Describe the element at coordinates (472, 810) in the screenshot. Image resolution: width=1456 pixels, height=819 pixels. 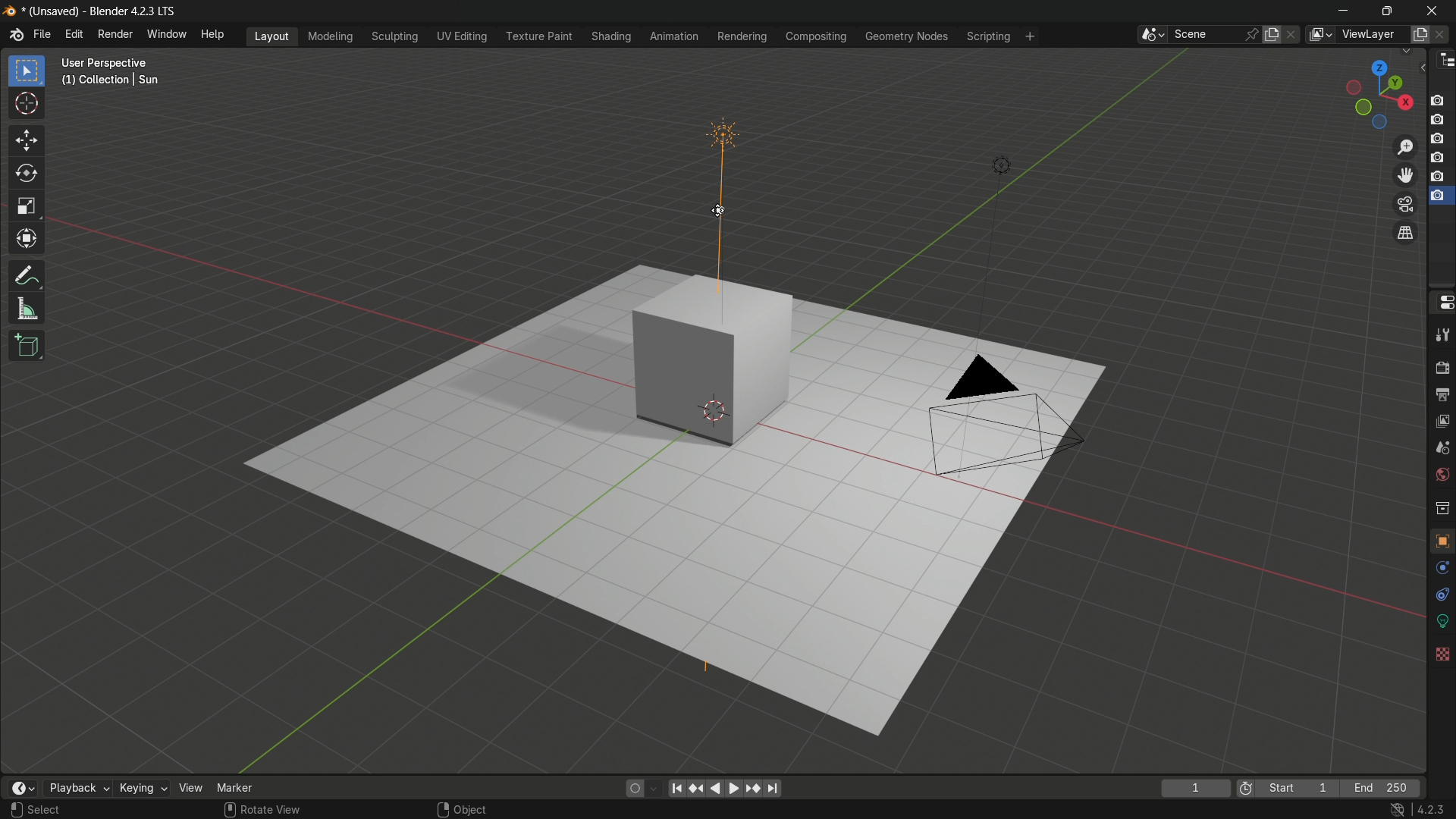
I see `object` at that location.